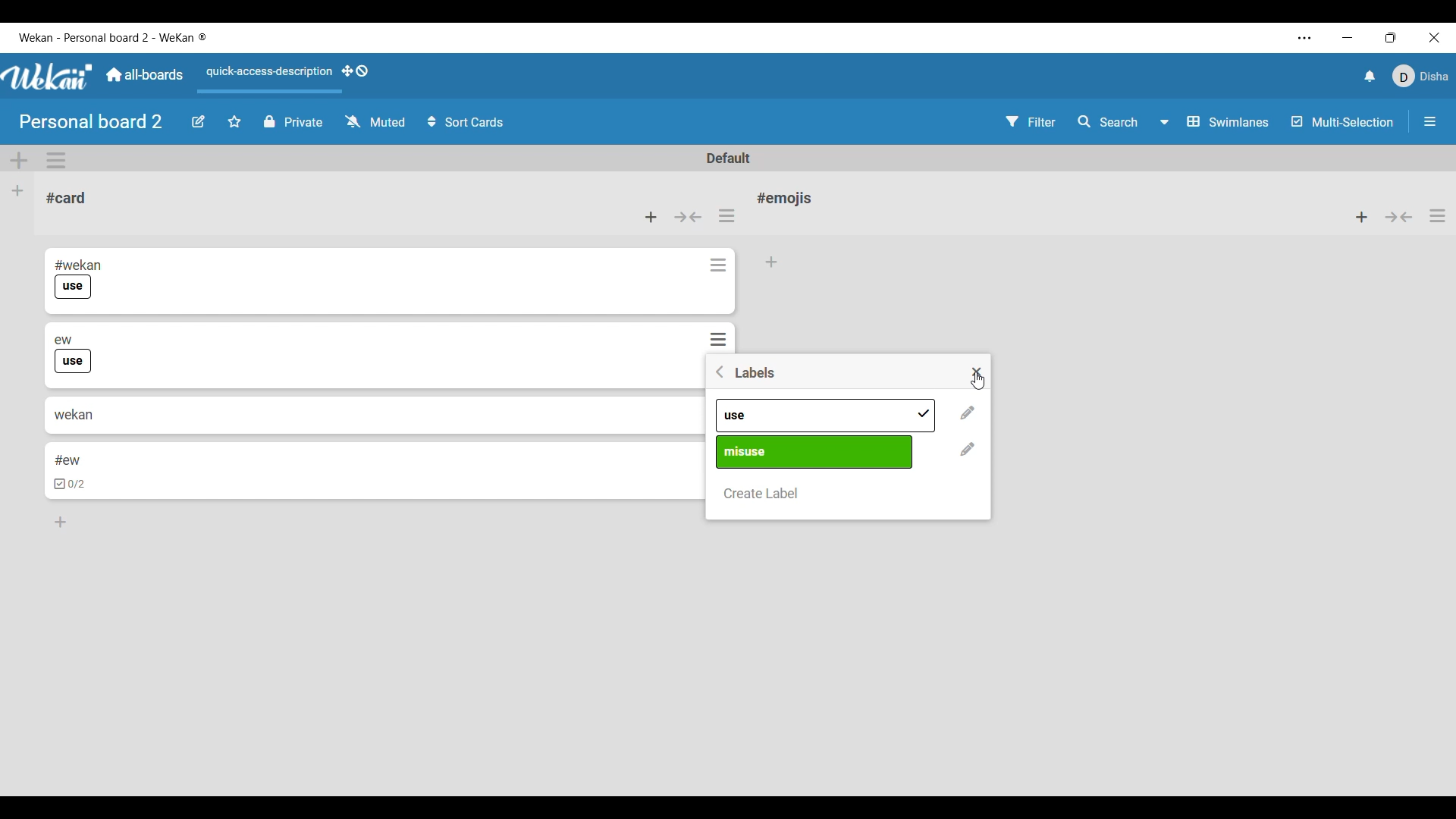 This screenshot has height=819, width=1456. What do you see at coordinates (48, 77) in the screenshot?
I see `Software logo` at bounding box center [48, 77].